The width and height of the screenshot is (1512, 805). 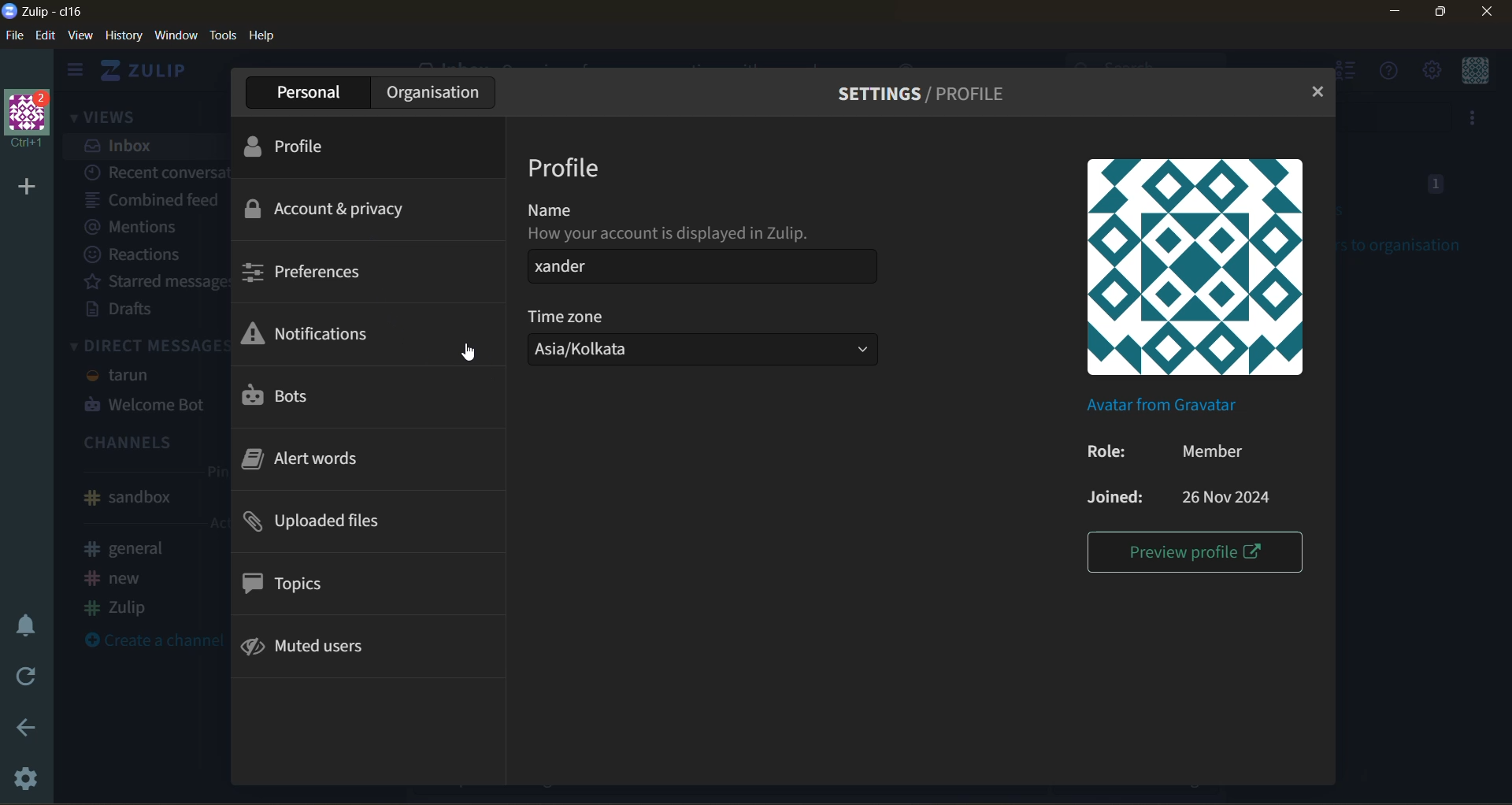 I want to click on help menu, so click(x=1383, y=71).